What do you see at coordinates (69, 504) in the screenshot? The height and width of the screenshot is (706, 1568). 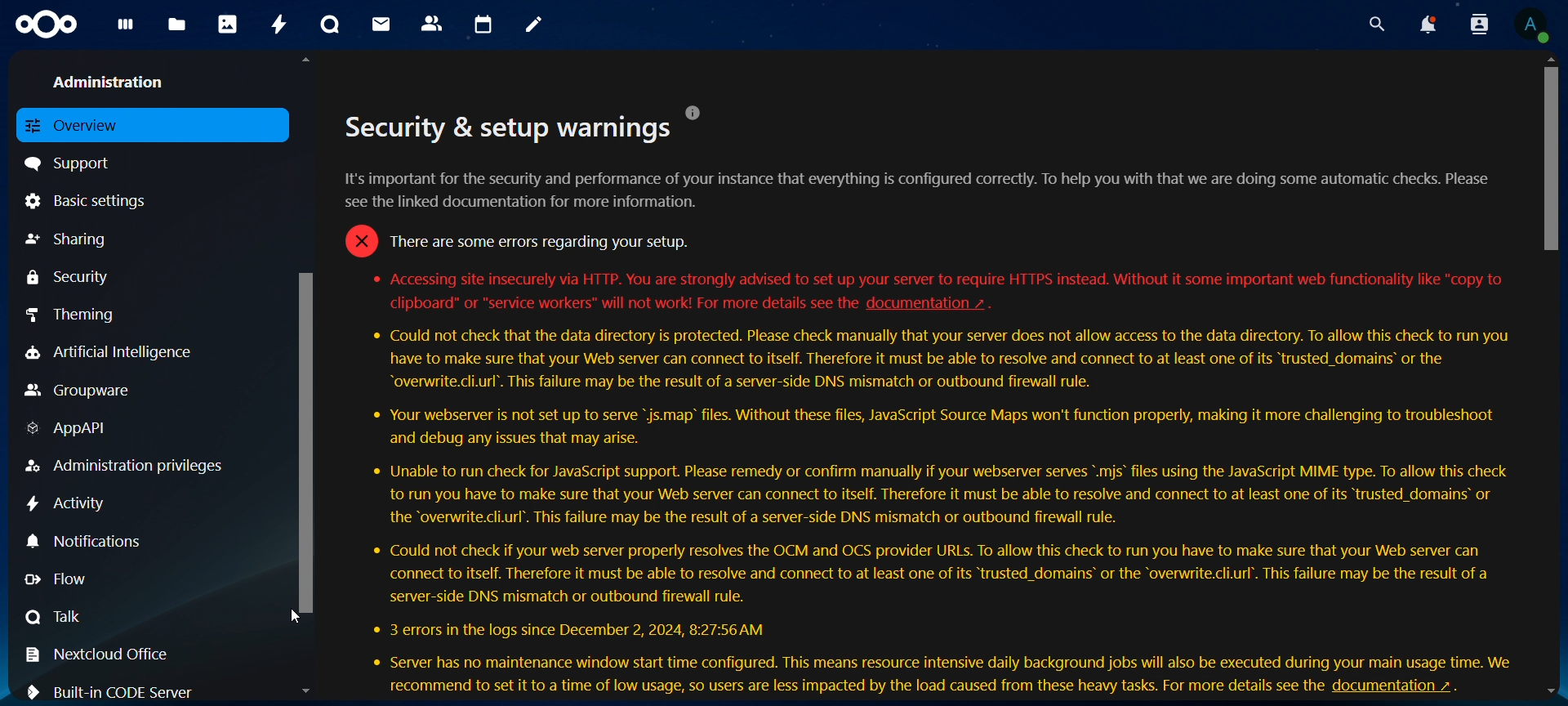 I see `activity` at bounding box center [69, 504].